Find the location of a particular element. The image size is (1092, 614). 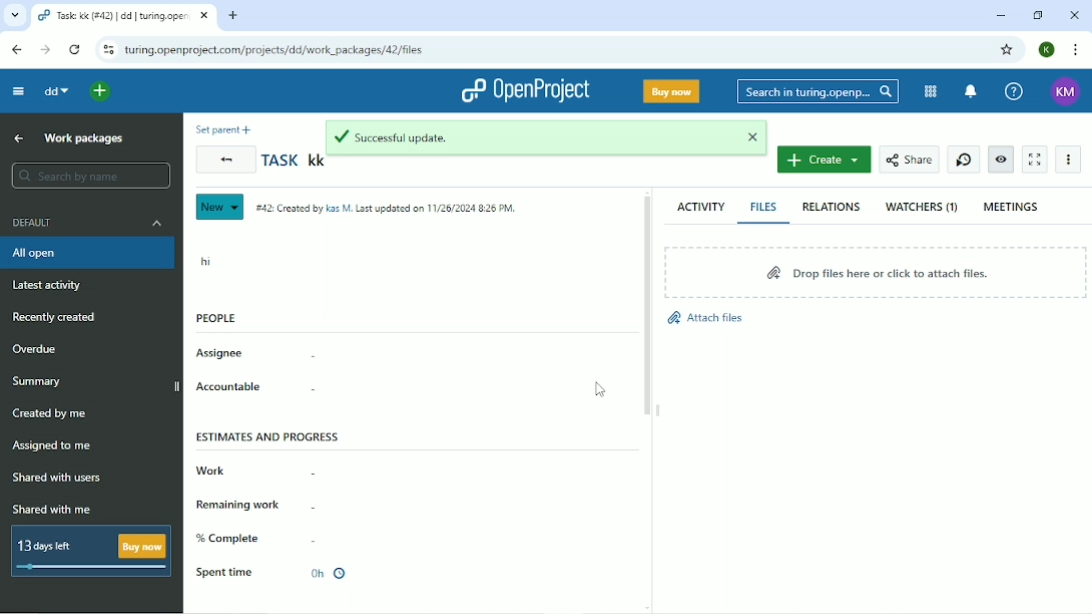

Successful update is located at coordinates (531, 136).